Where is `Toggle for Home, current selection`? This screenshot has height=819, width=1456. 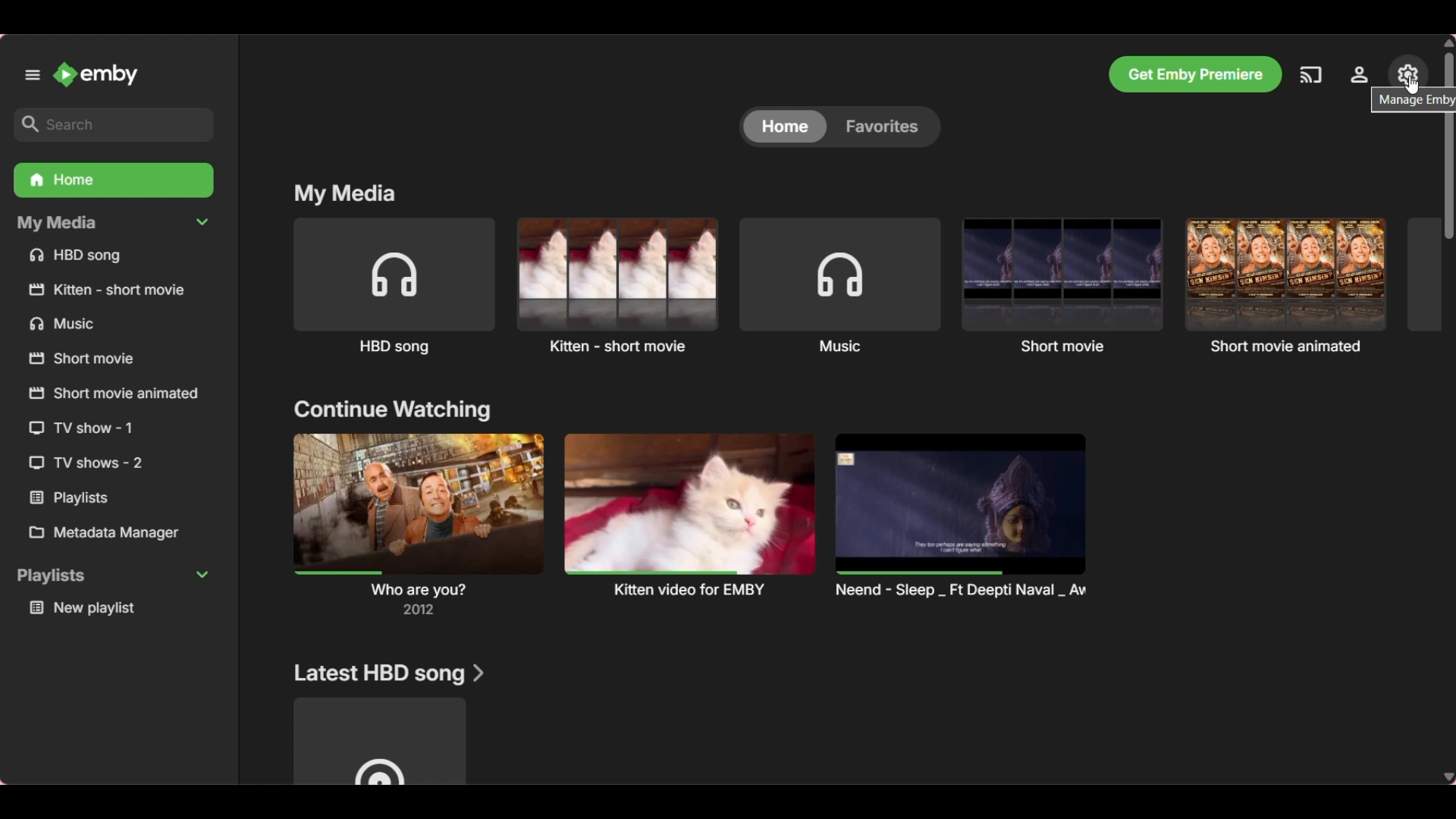 Toggle for Home, current selection is located at coordinates (783, 127).